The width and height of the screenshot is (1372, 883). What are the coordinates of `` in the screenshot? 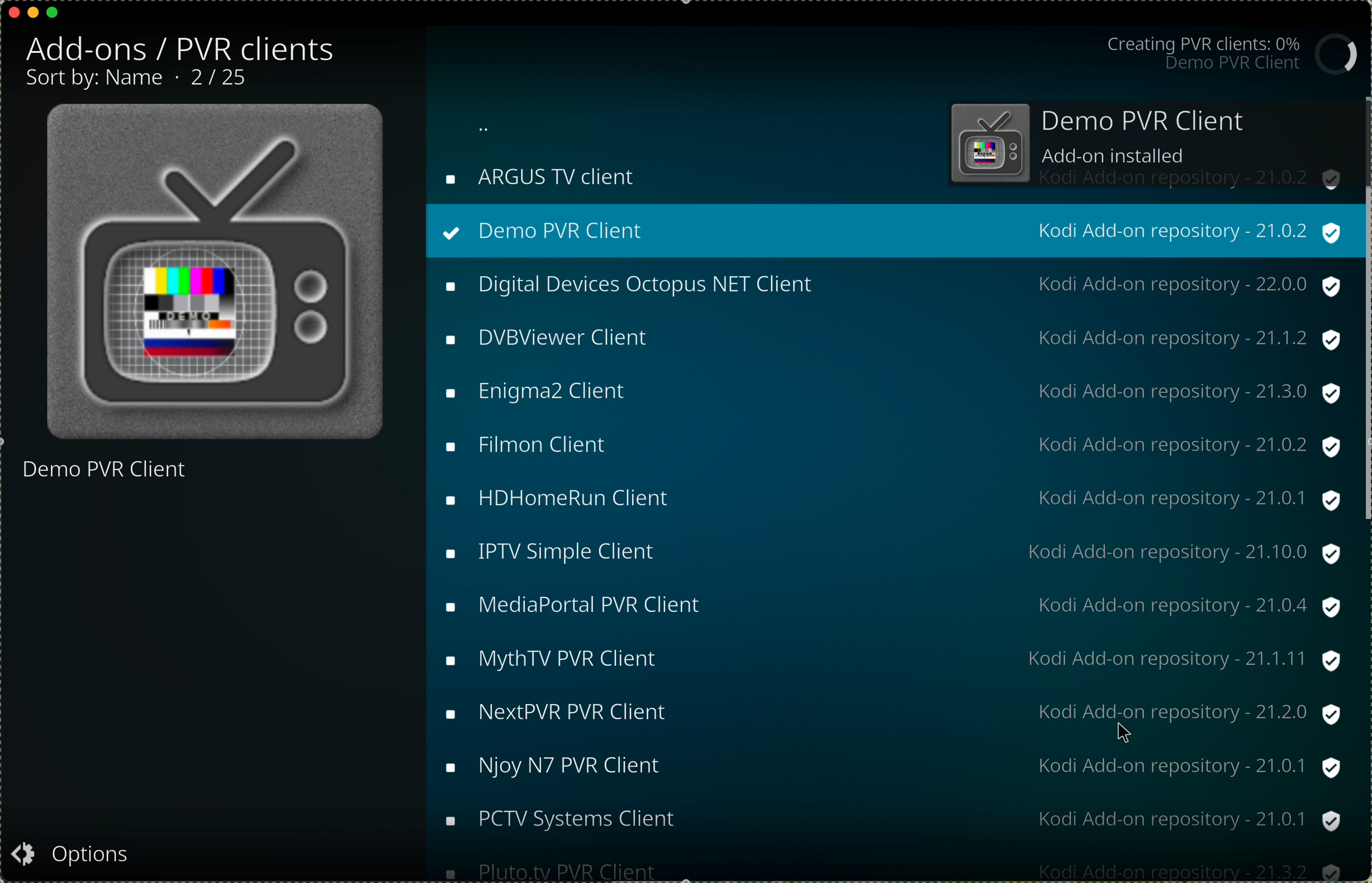 It's located at (889, 499).